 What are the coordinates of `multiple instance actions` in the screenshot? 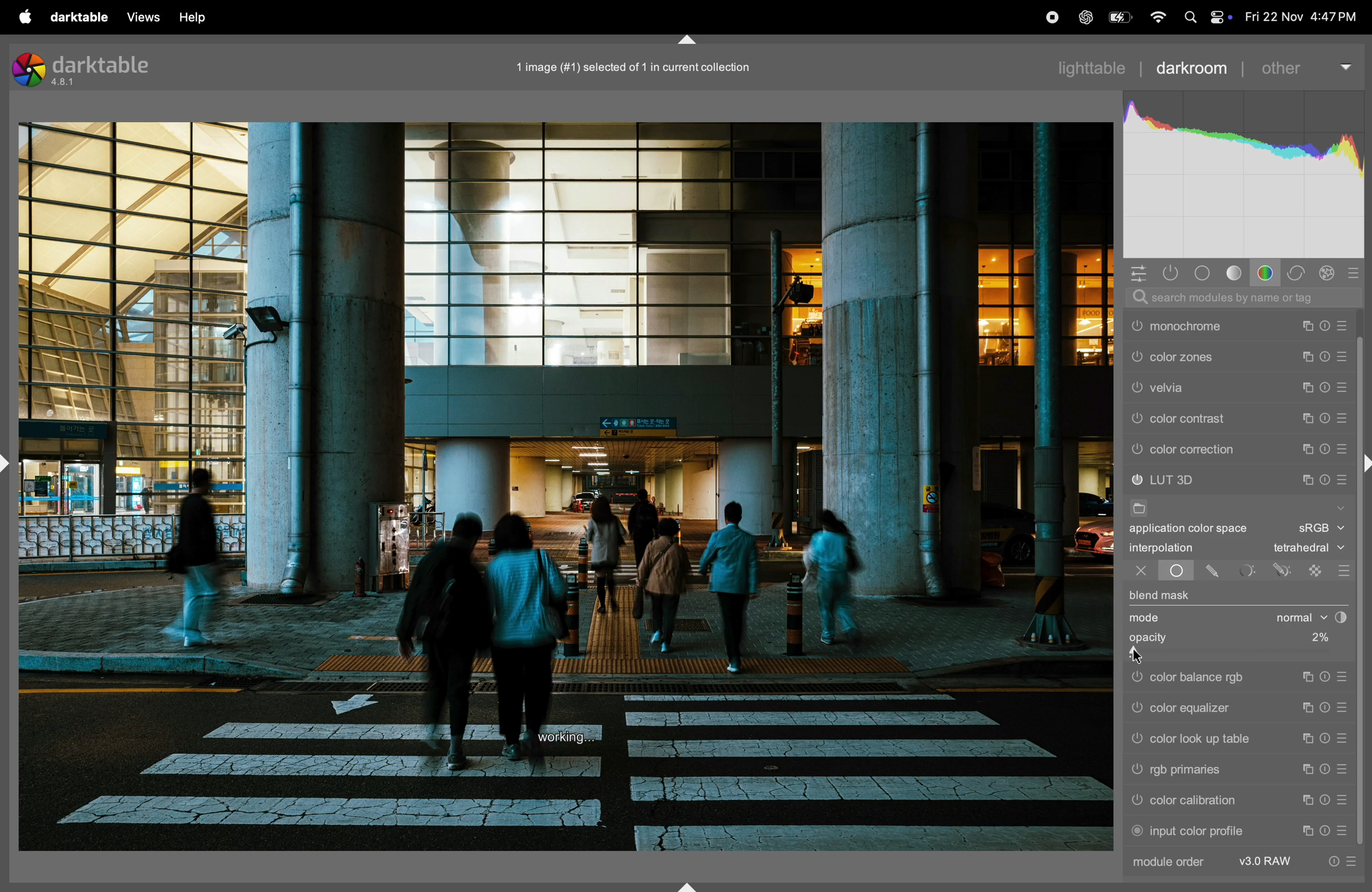 It's located at (1309, 678).